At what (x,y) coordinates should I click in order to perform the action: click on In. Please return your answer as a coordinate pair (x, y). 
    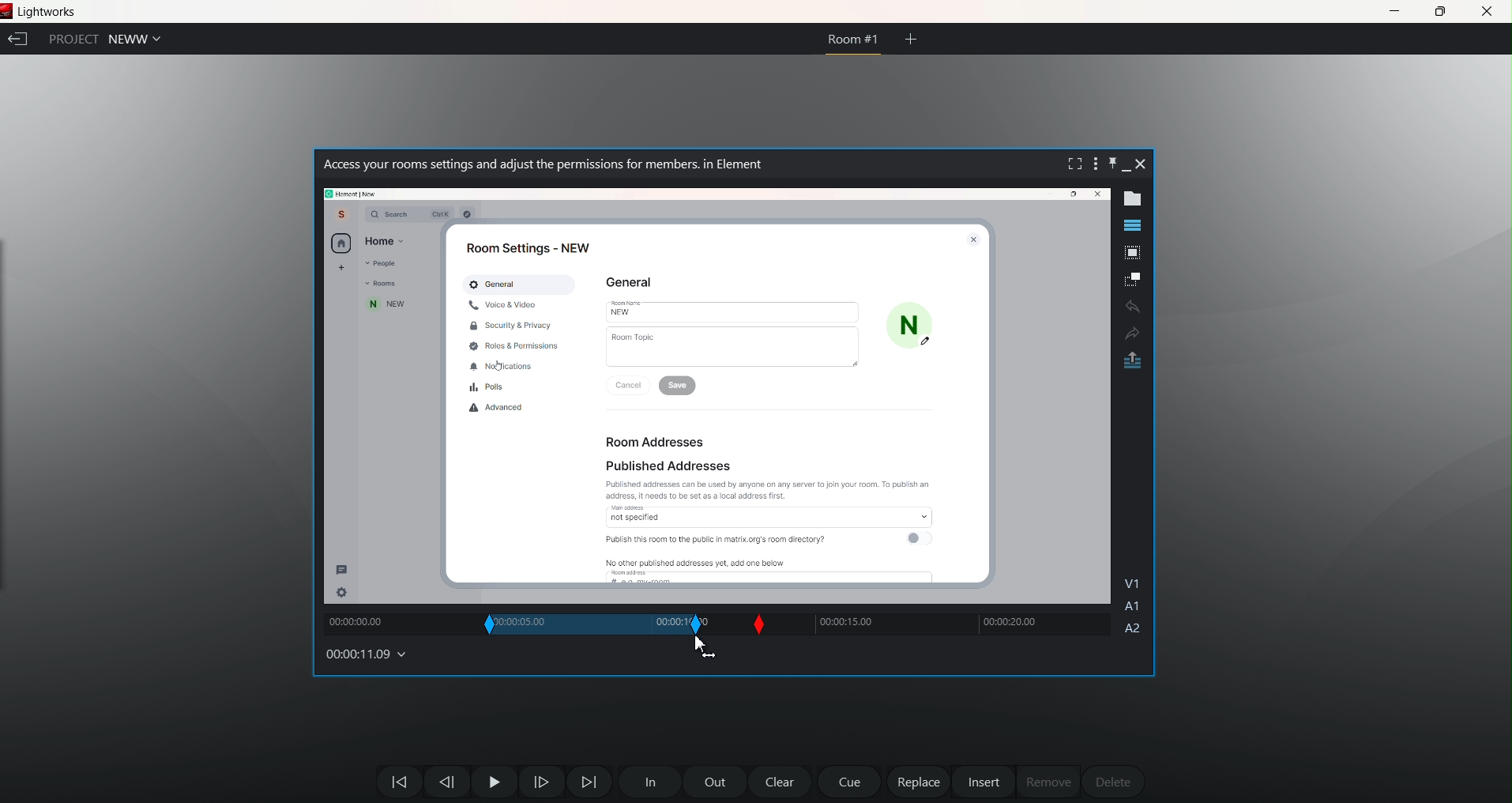
    Looking at the image, I should click on (649, 780).